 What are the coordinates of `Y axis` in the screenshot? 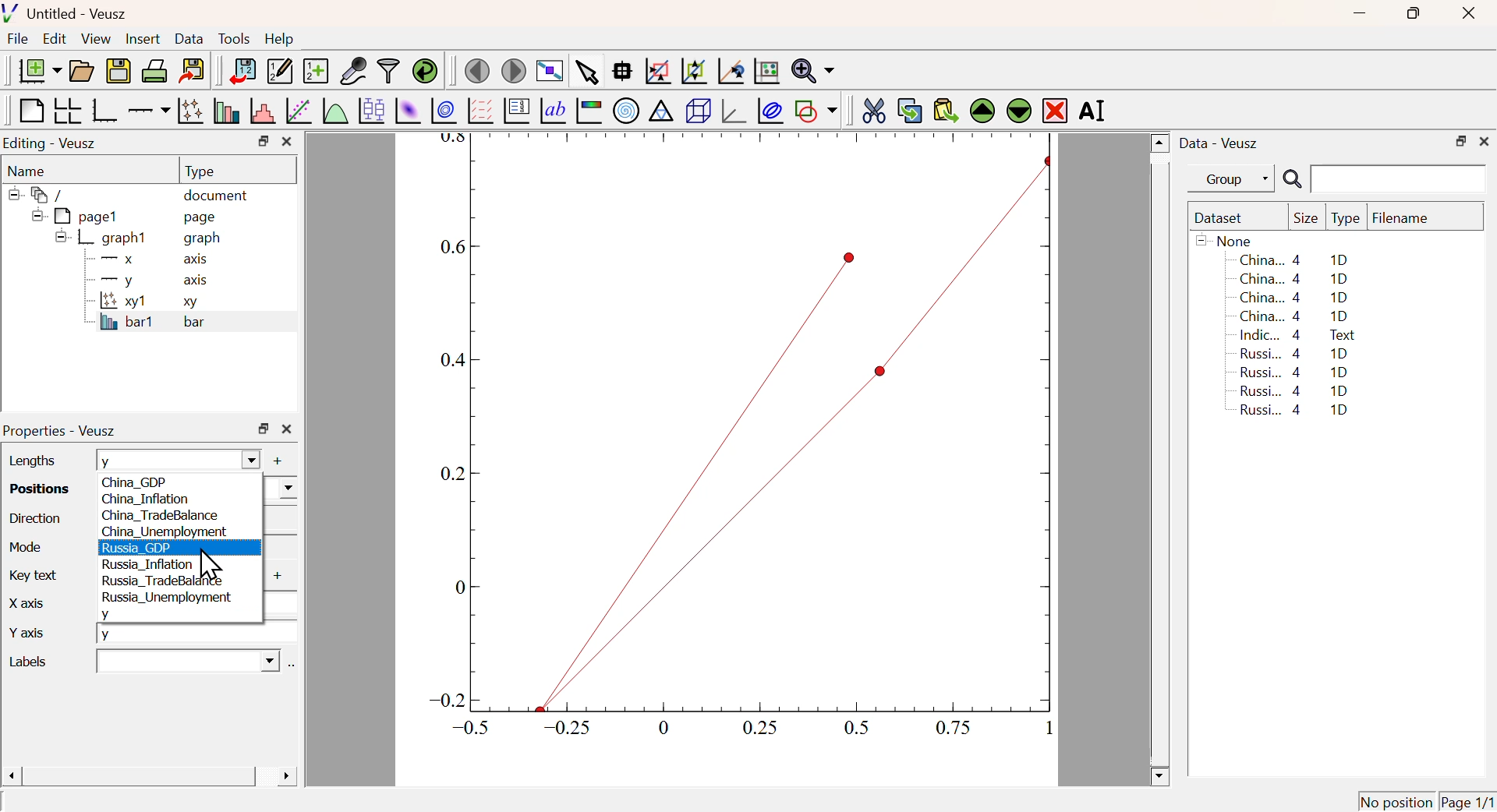 It's located at (34, 634).